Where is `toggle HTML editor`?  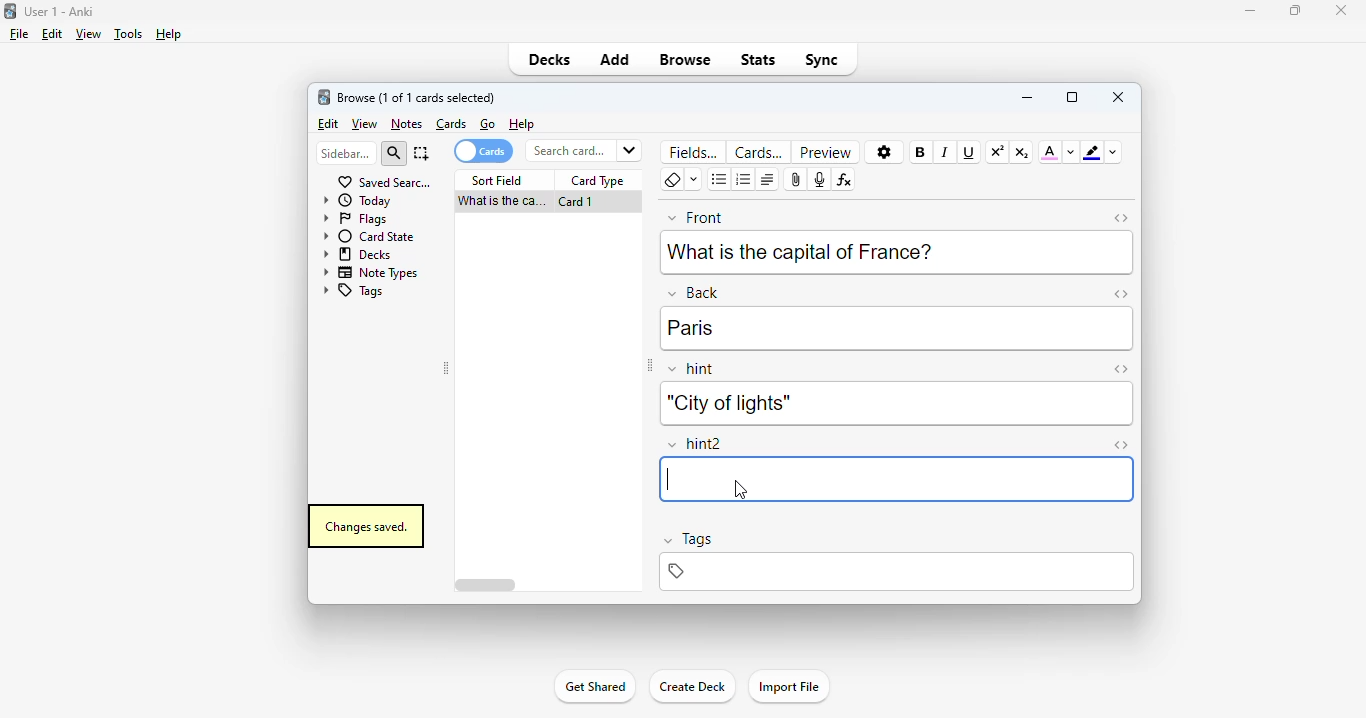 toggle HTML editor is located at coordinates (1120, 369).